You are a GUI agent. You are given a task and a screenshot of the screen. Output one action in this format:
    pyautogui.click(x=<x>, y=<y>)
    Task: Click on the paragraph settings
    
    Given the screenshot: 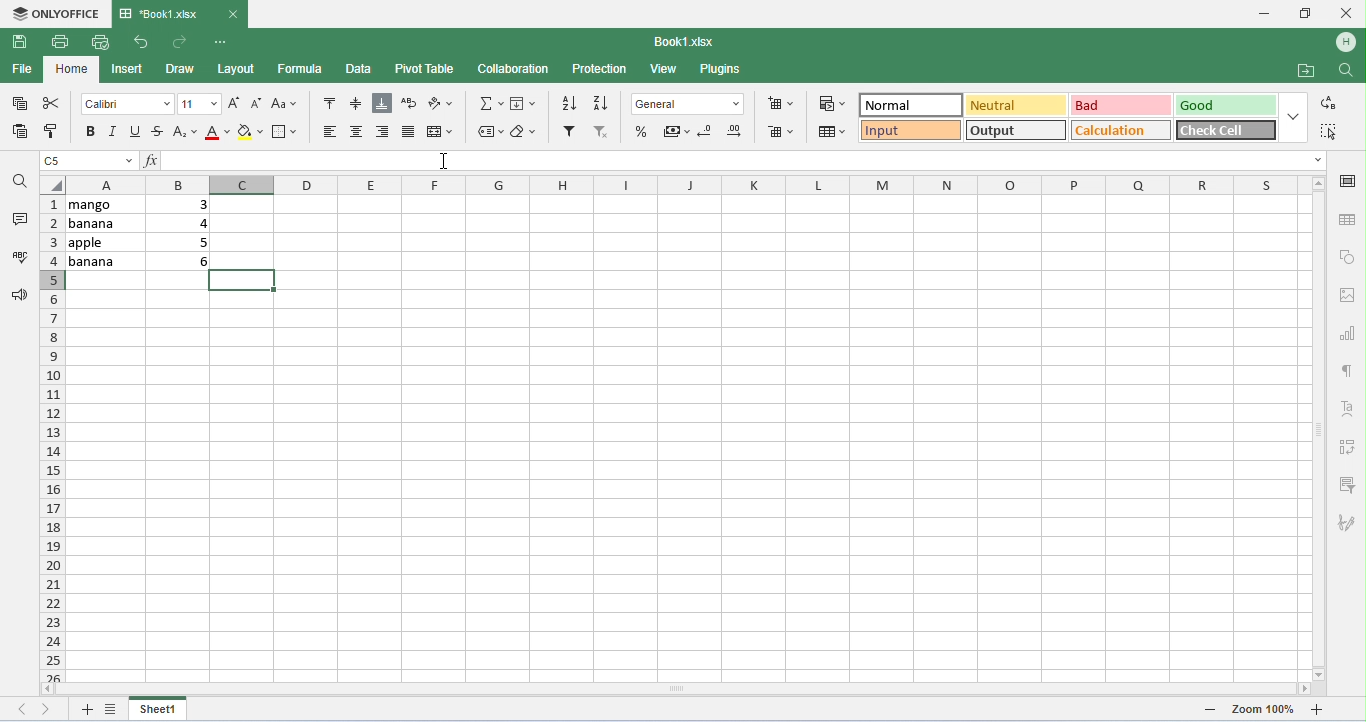 What is the action you would take?
    pyautogui.click(x=1351, y=371)
    